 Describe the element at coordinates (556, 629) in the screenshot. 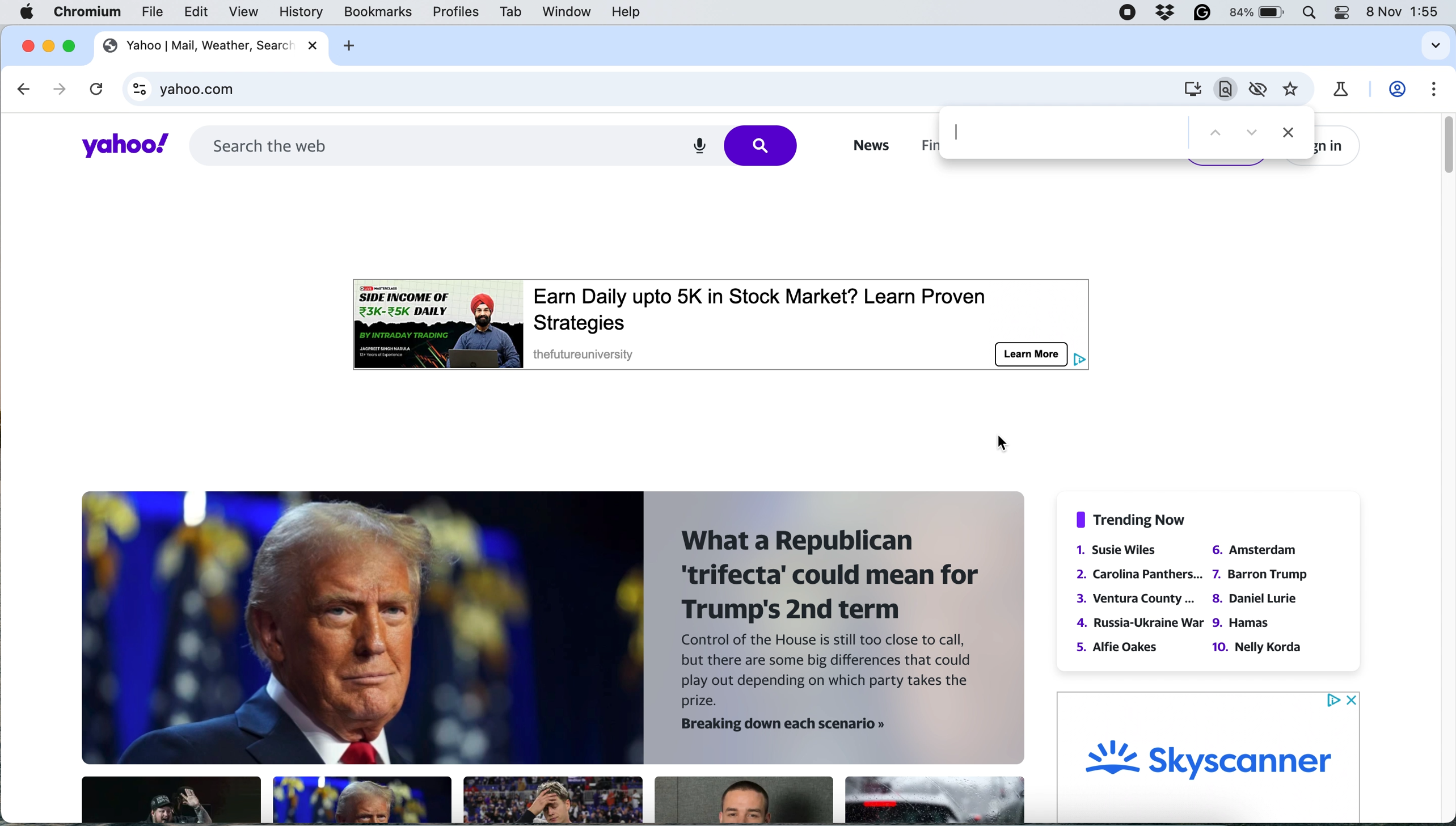

I see `news` at that location.